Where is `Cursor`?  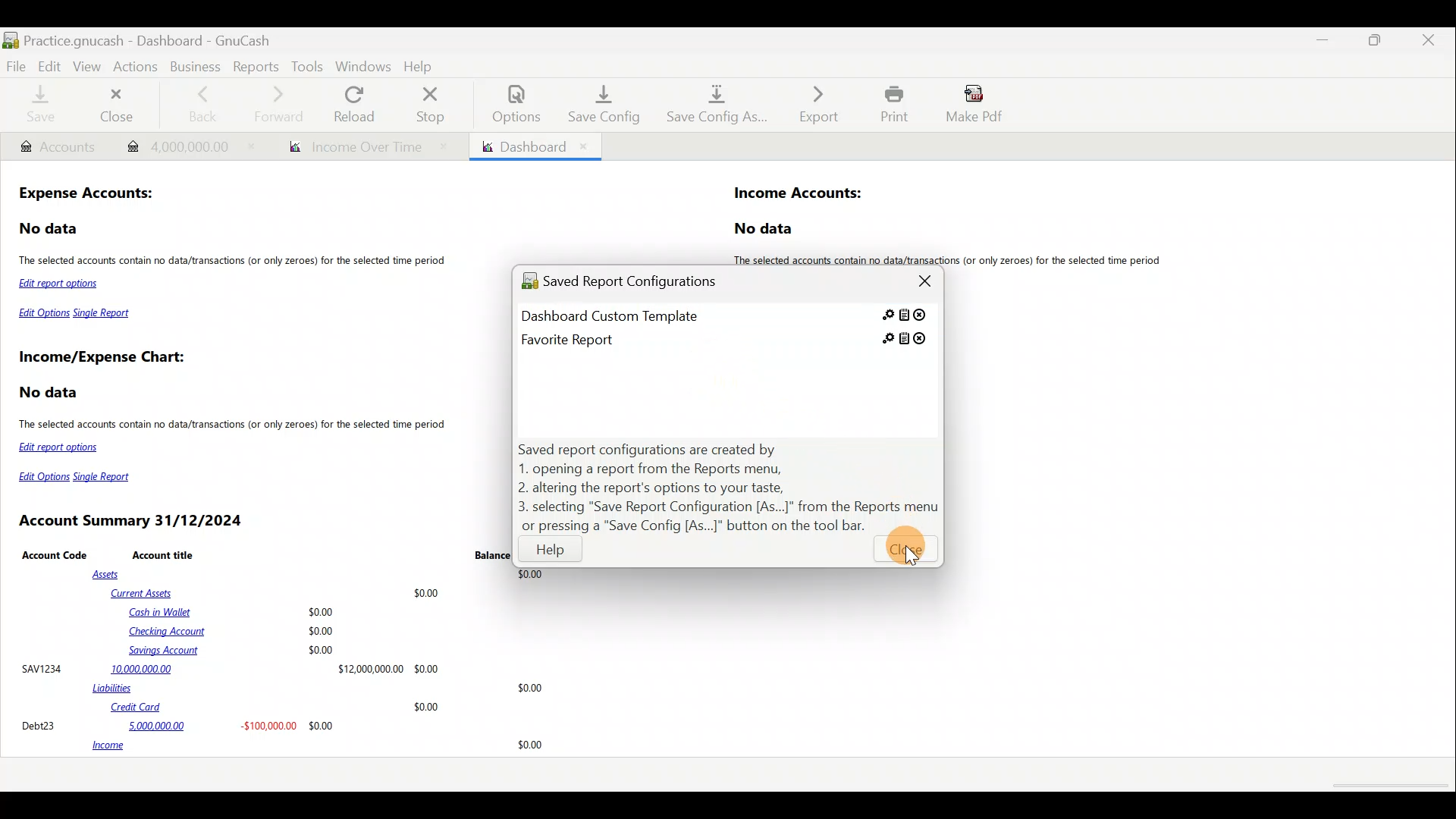
Cursor is located at coordinates (912, 547).